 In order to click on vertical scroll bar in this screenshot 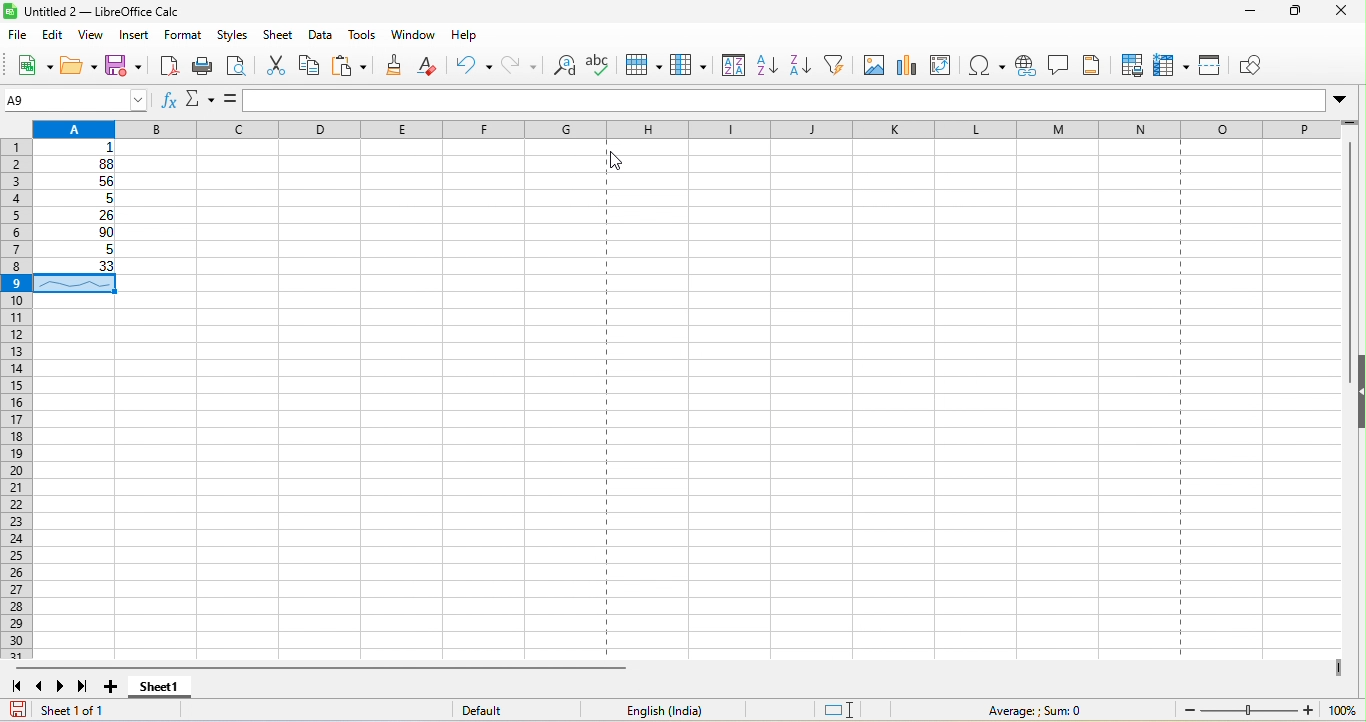, I will do `click(1346, 262)`.